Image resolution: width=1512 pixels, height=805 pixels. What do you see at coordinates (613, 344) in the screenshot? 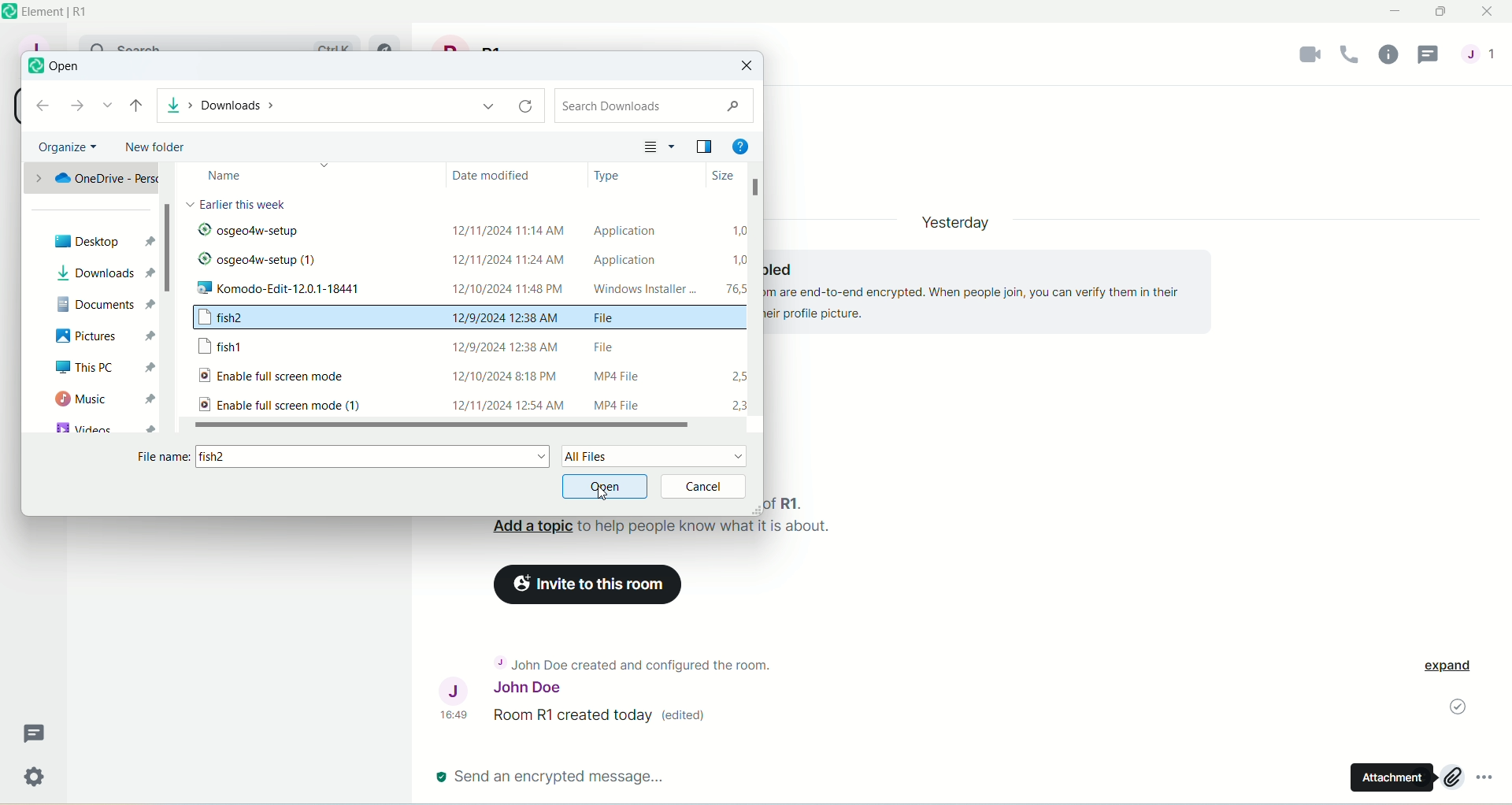
I see `File` at bounding box center [613, 344].